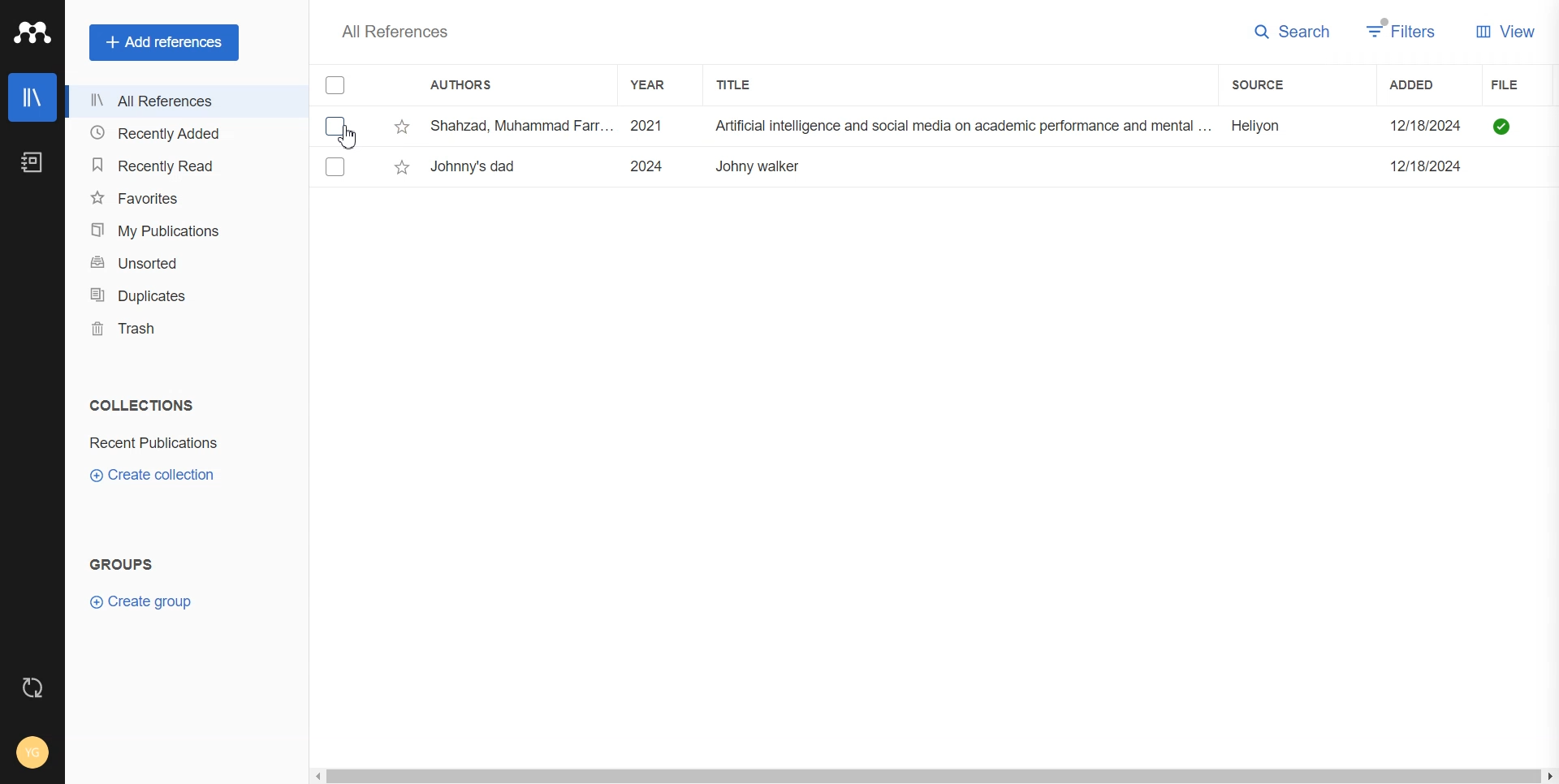  Describe the element at coordinates (1276, 84) in the screenshot. I see `Sources` at that location.